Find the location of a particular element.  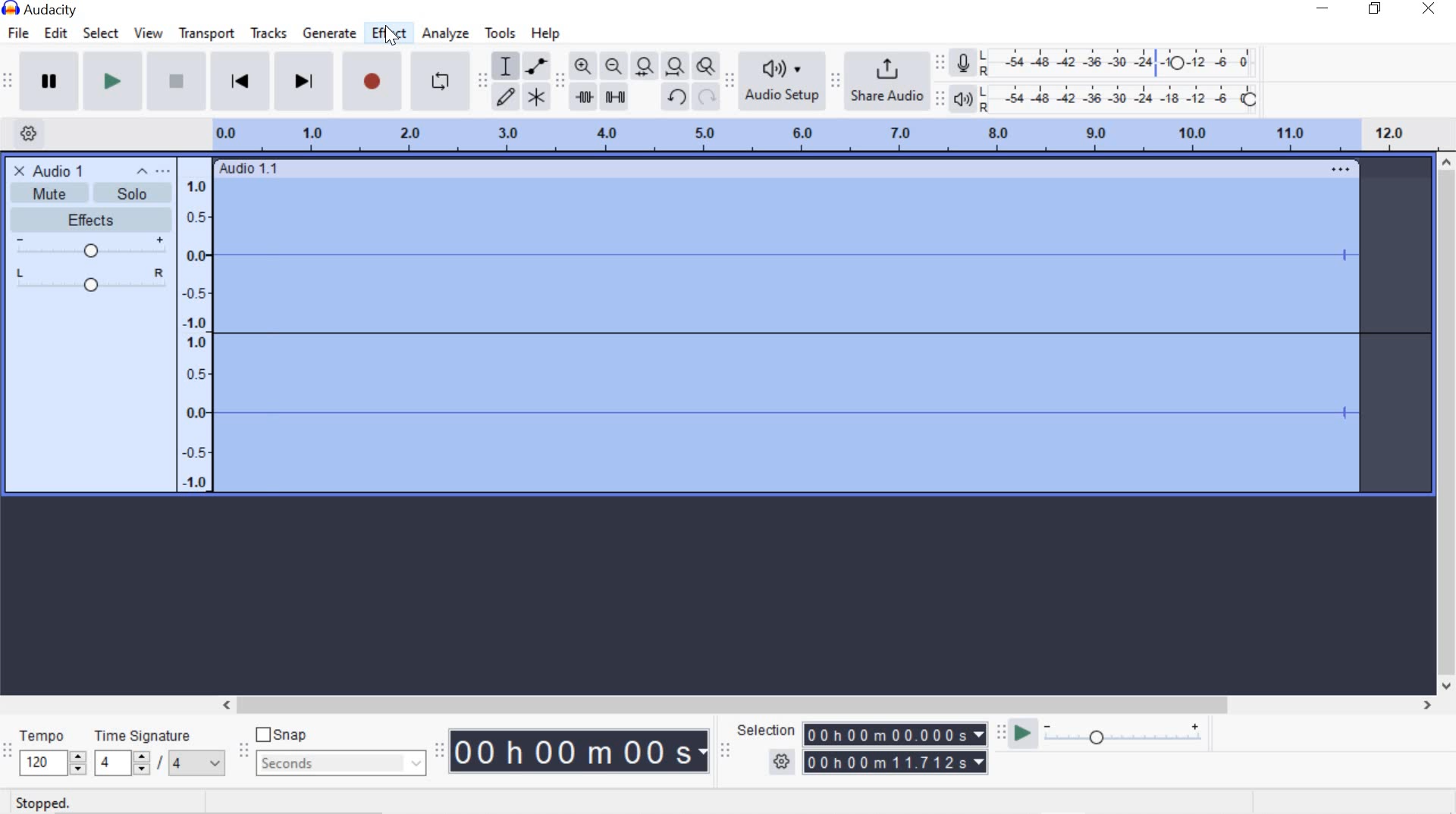

SELECTION OPTION is located at coordinates (783, 762).